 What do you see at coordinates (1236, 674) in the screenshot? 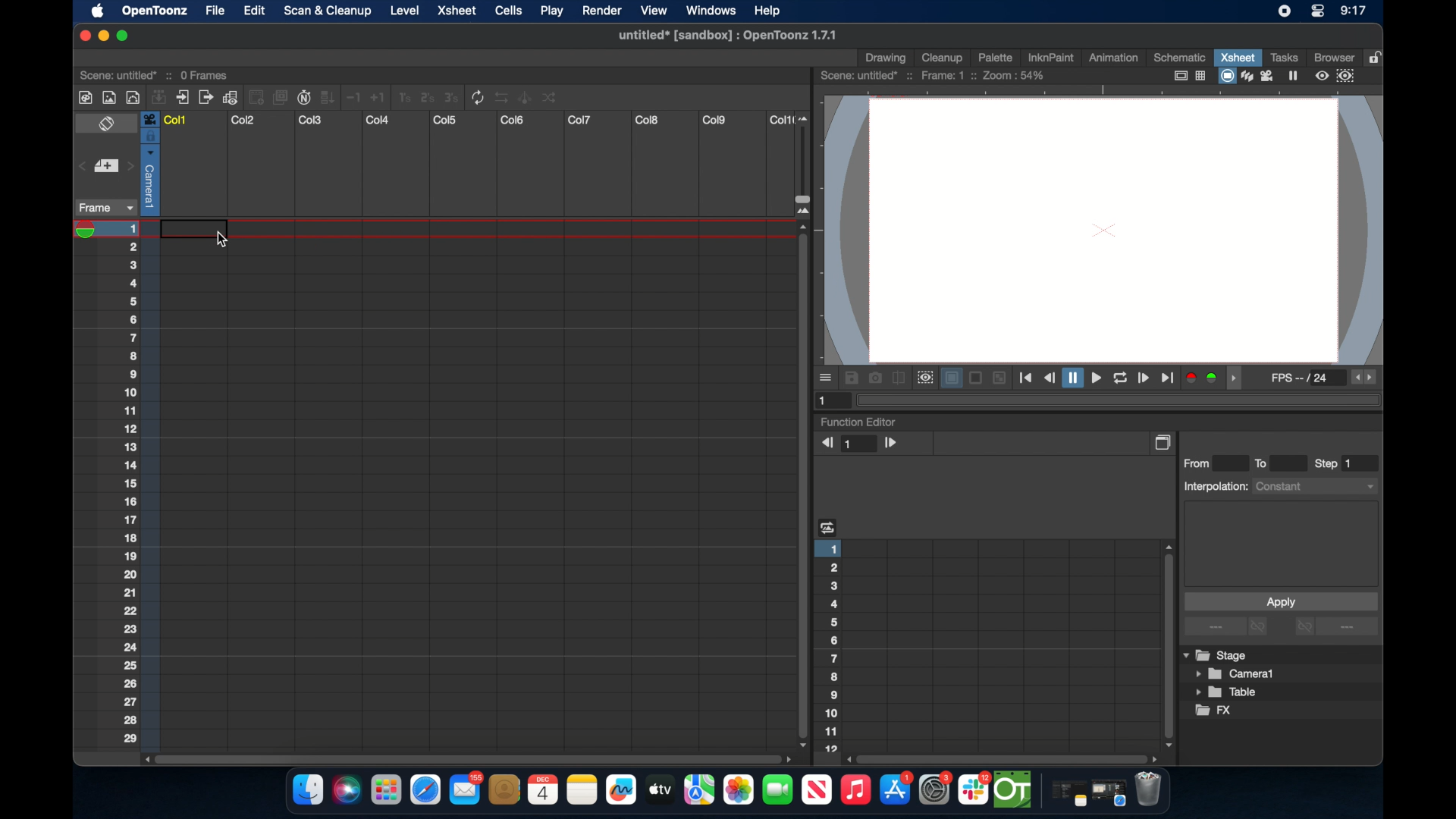
I see `camera1` at bounding box center [1236, 674].